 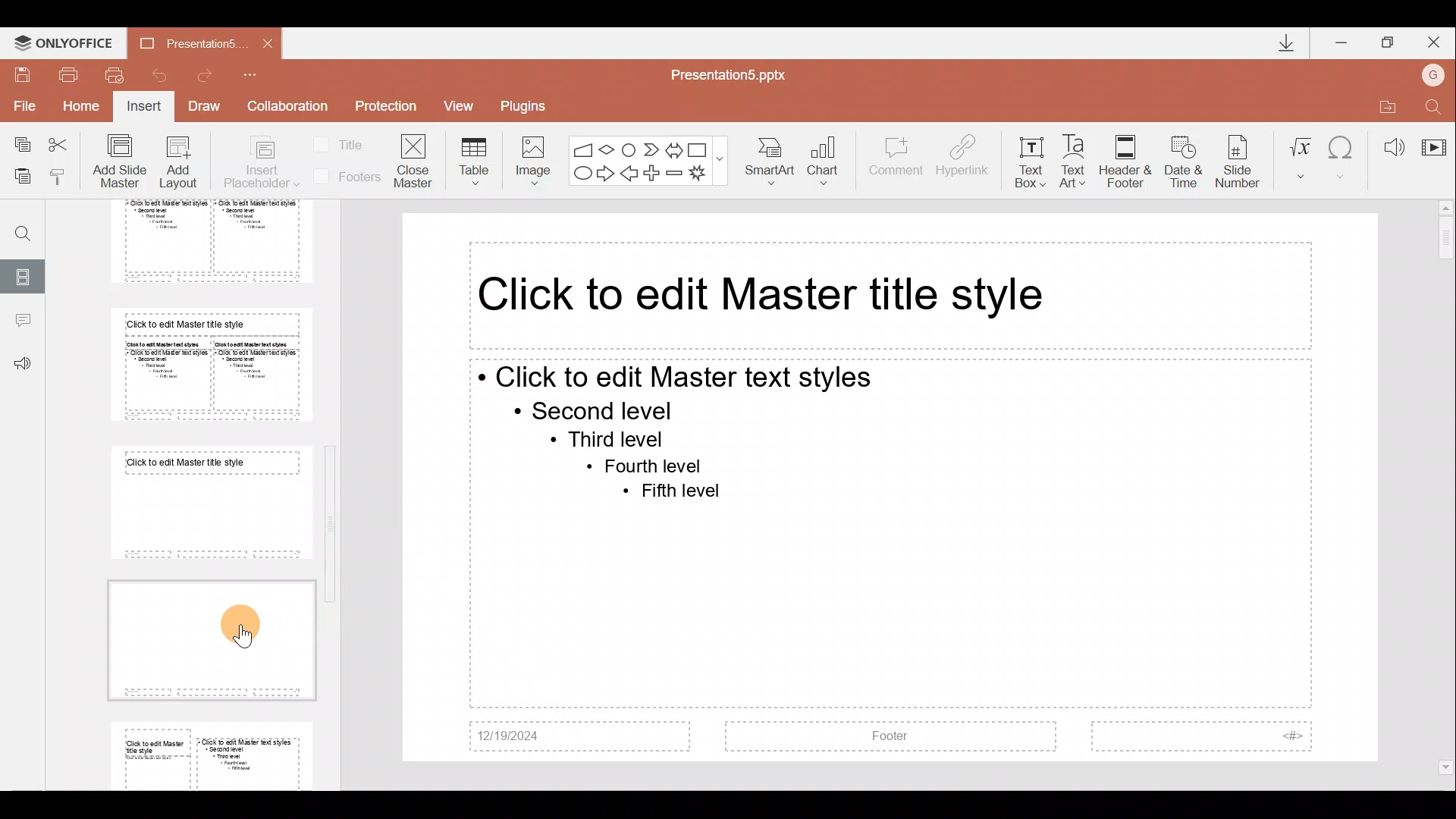 What do you see at coordinates (654, 171) in the screenshot?
I see `Plus` at bounding box center [654, 171].